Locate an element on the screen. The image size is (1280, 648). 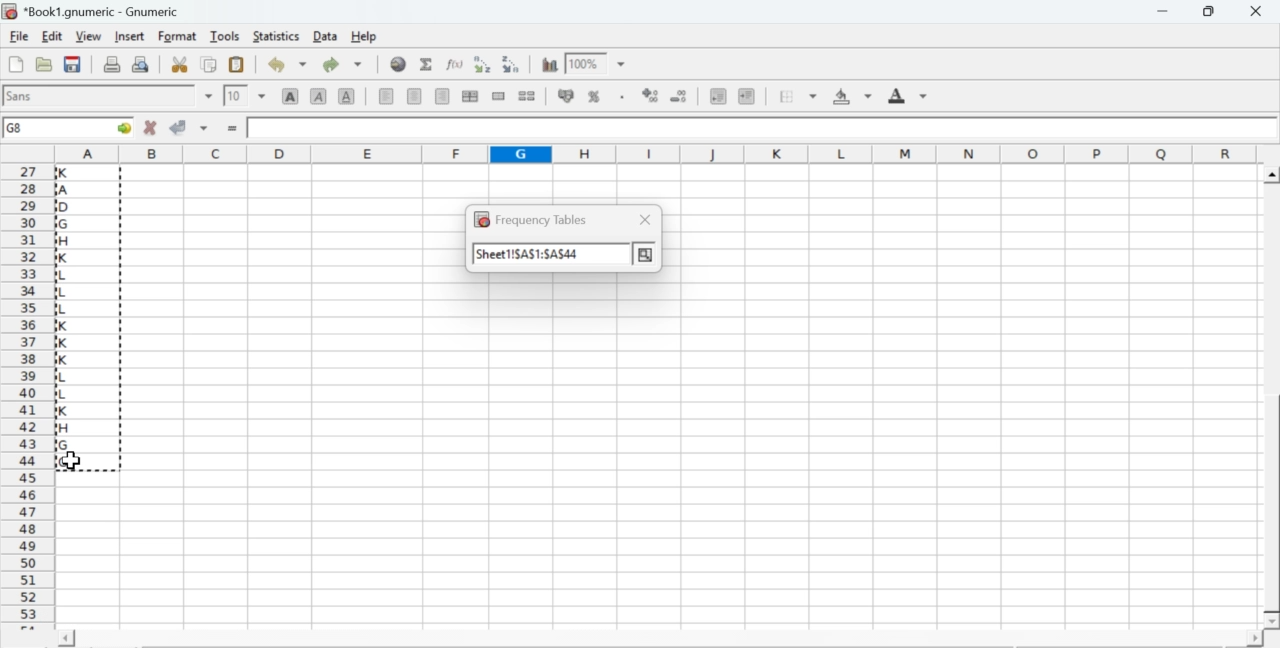
insert hyperlink is located at coordinates (399, 64).